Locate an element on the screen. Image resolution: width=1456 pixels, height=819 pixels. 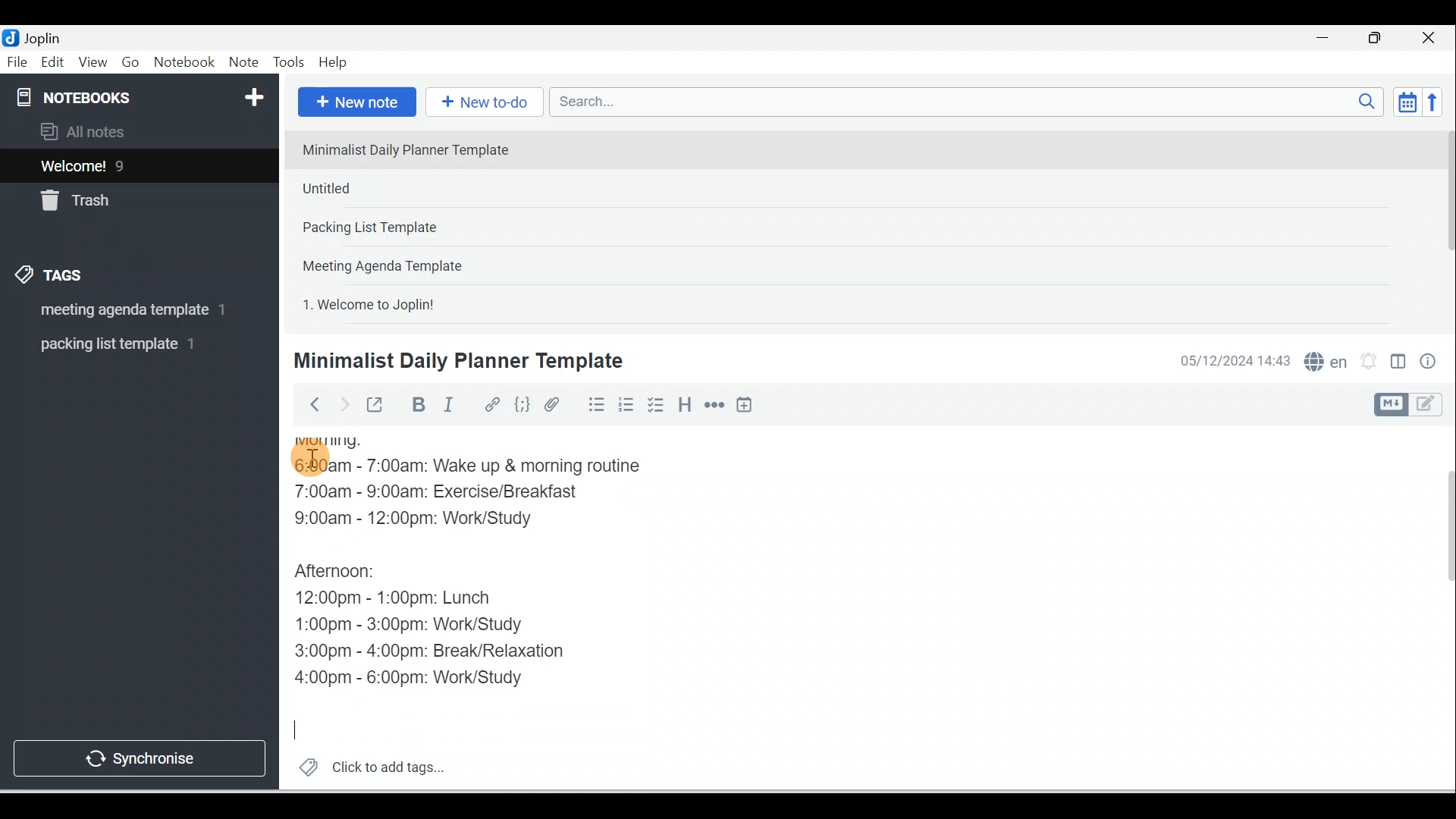
12:00pm - 1:00pm: Lunch is located at coordinates (412, 599).